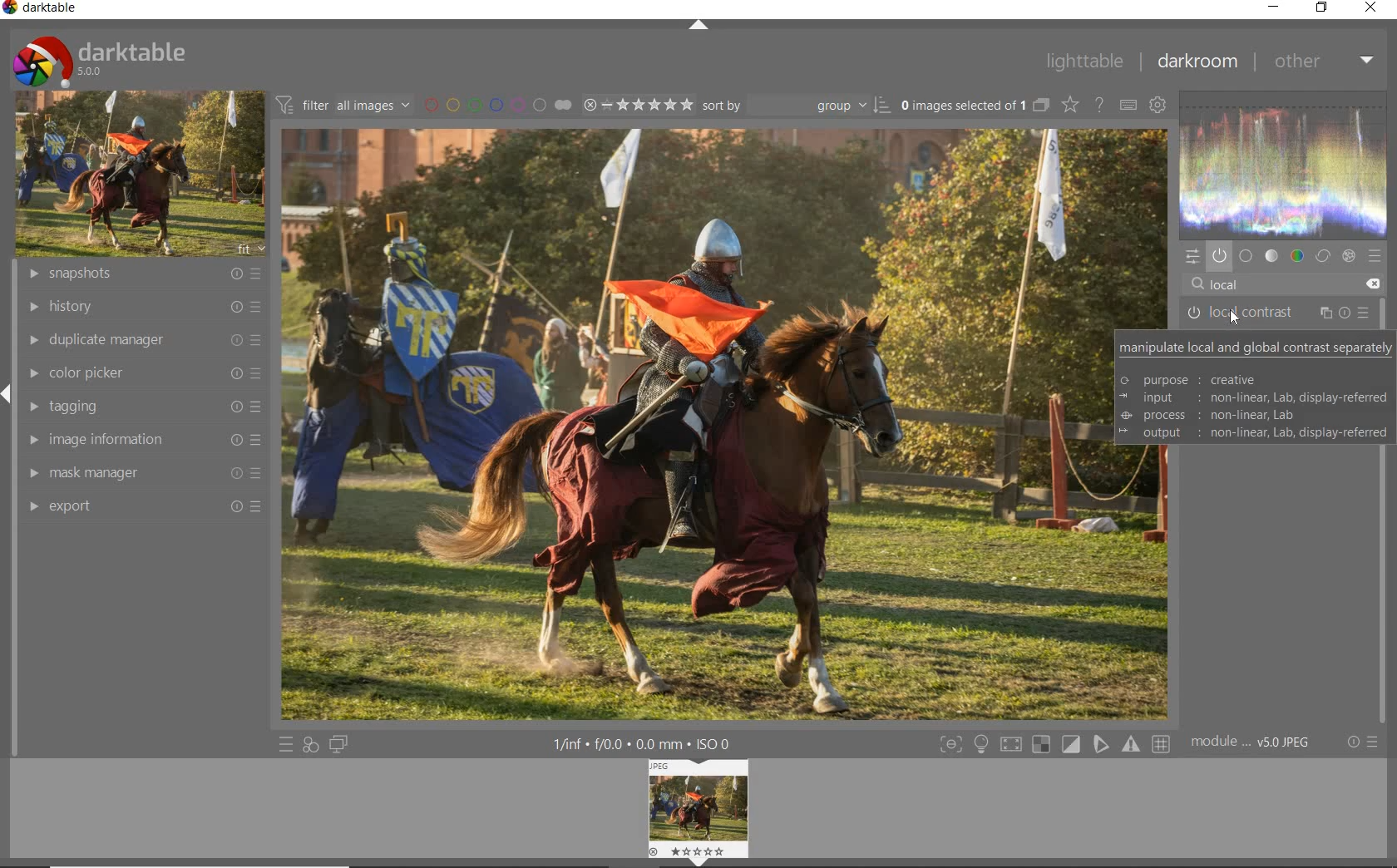  Describe the element at coordinates (141, 474) in the screenshot. I see `mask manager` at that location.